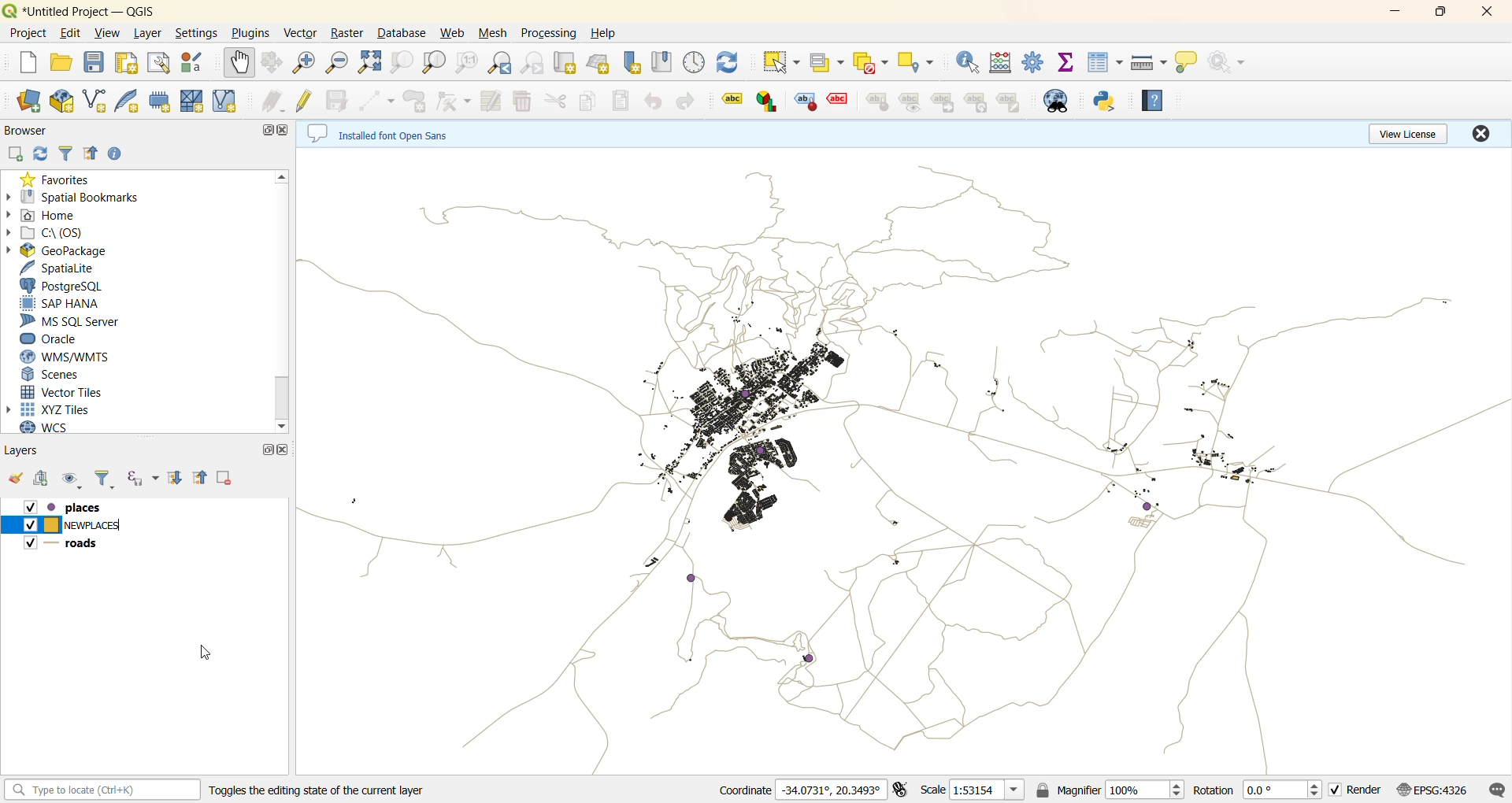 The height and width of the screenshot is (803, 1512). I want to click on add, so click(46, 480).